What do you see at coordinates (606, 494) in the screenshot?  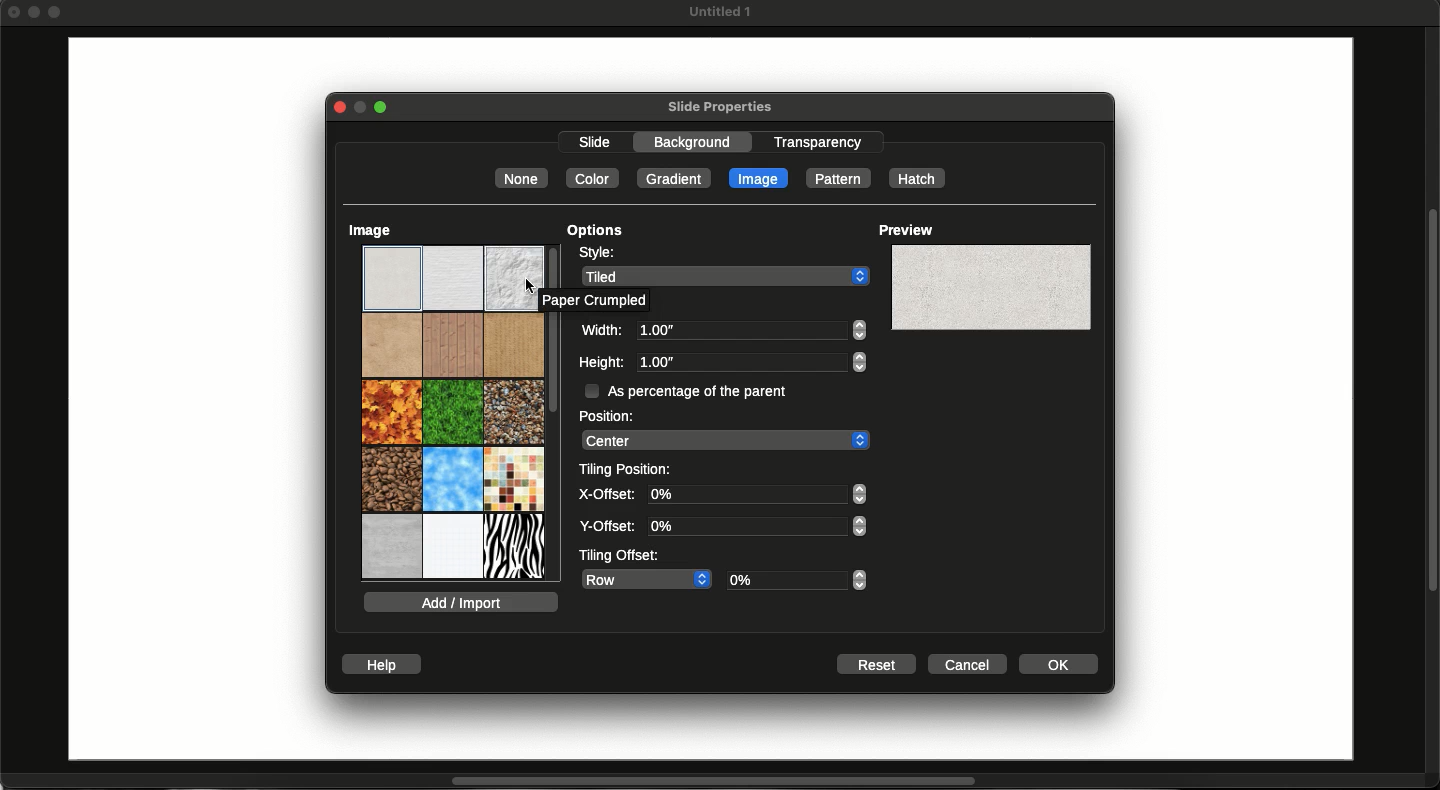 I see `X-offset:` at bounding box center [606, 494].